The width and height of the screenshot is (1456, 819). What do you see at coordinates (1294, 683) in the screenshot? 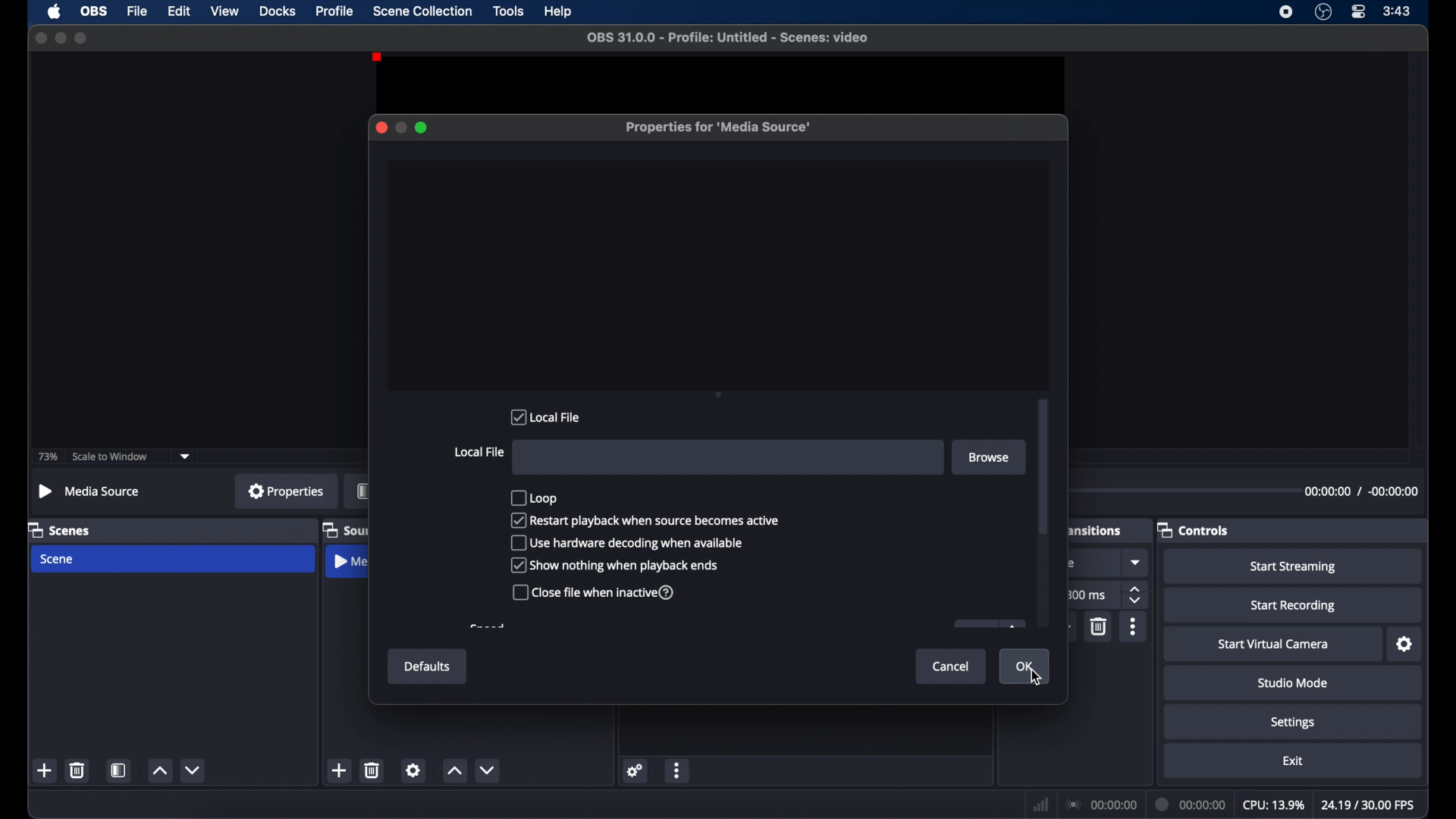
I see `studio mode` at bounding box center [1294, 683].